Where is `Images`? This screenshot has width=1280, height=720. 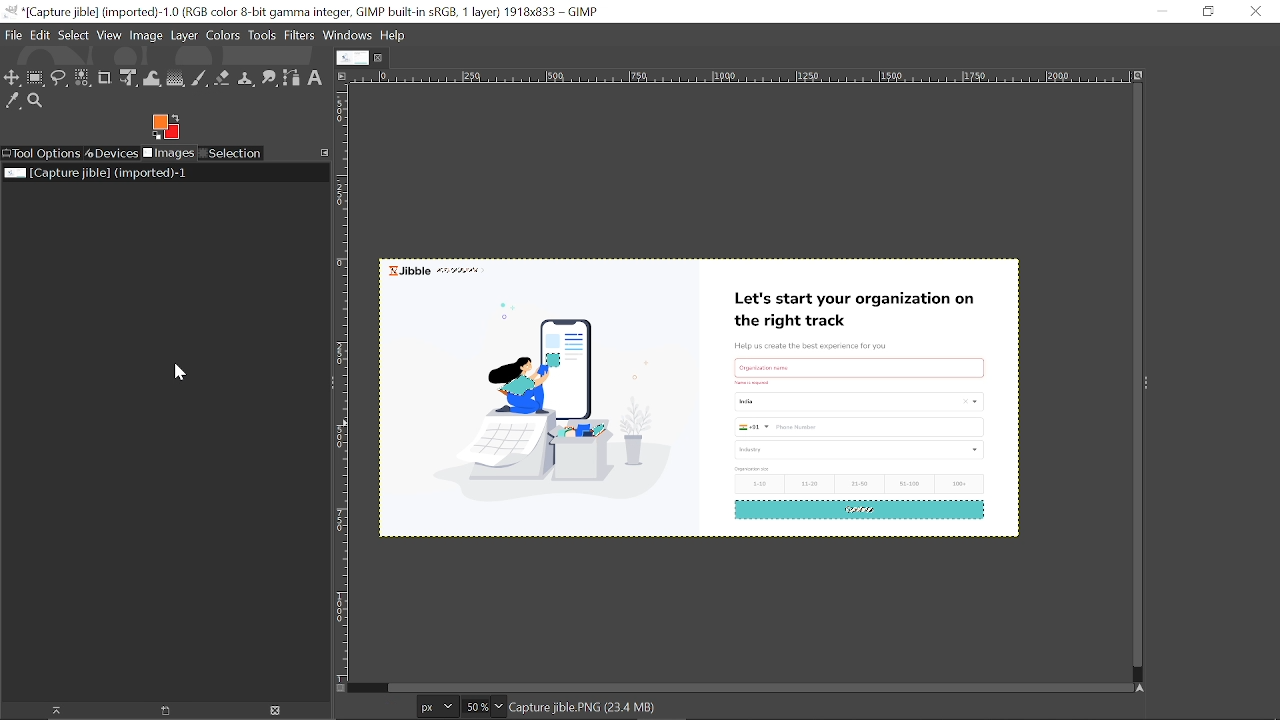
Images is located at coordinates (168, 154).